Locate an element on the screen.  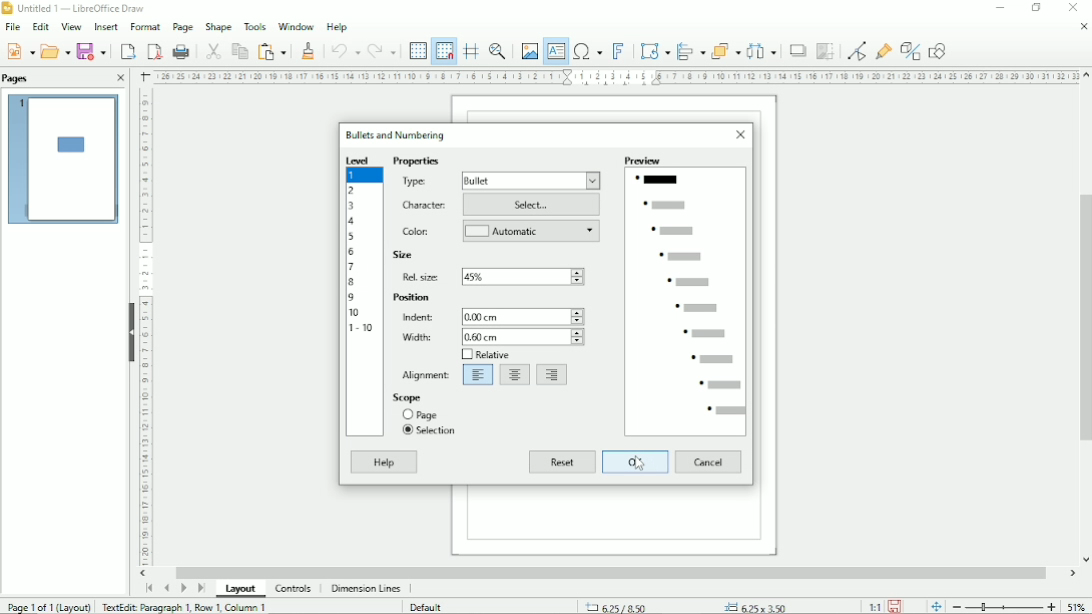
Select is located at coordinates (533, 205).